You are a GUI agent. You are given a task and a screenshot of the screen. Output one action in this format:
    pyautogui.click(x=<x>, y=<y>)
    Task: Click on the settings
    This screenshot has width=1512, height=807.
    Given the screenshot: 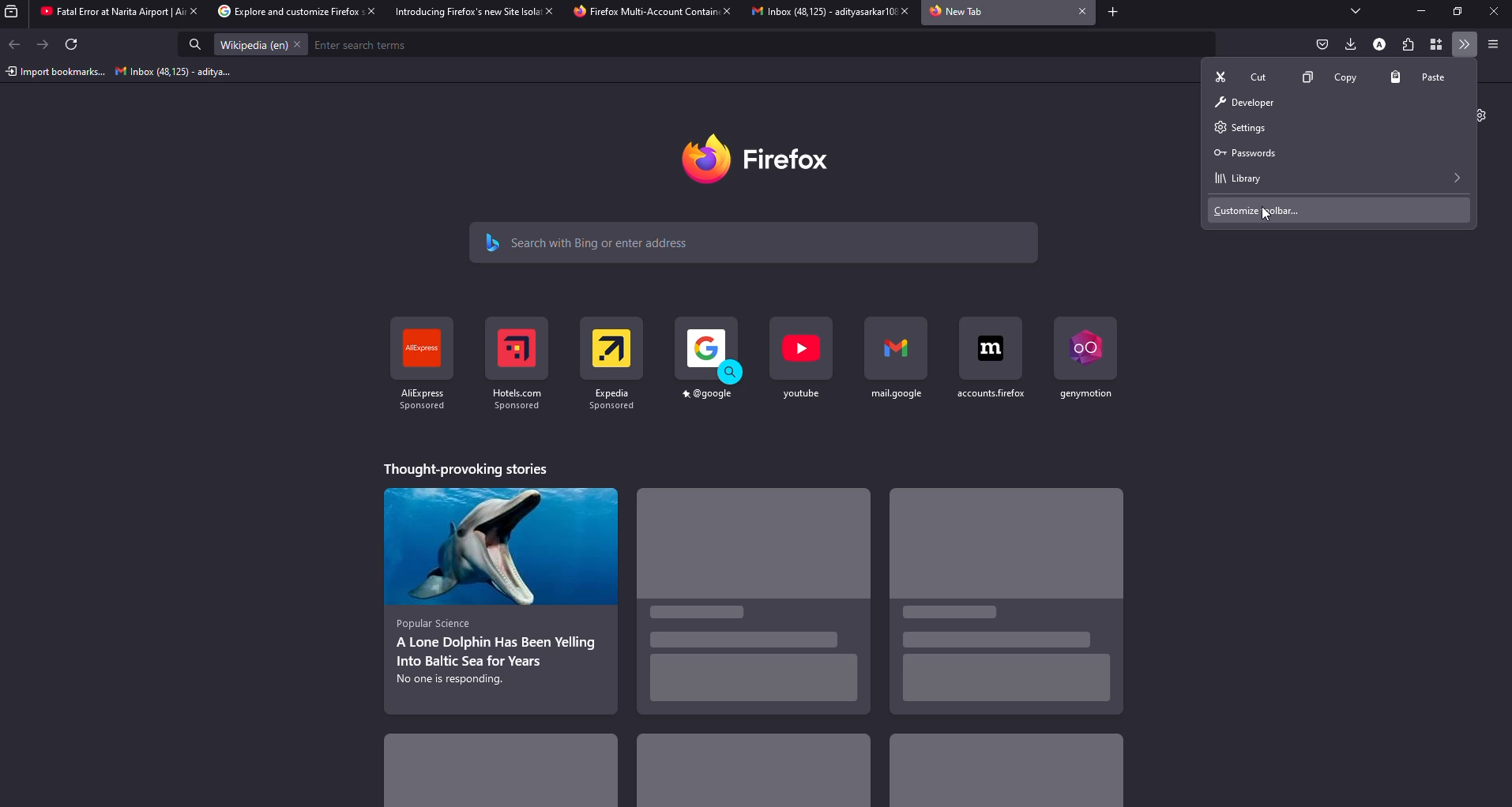 What is the action you would take?
    pyautogui.click(x=1483, y=113)
    